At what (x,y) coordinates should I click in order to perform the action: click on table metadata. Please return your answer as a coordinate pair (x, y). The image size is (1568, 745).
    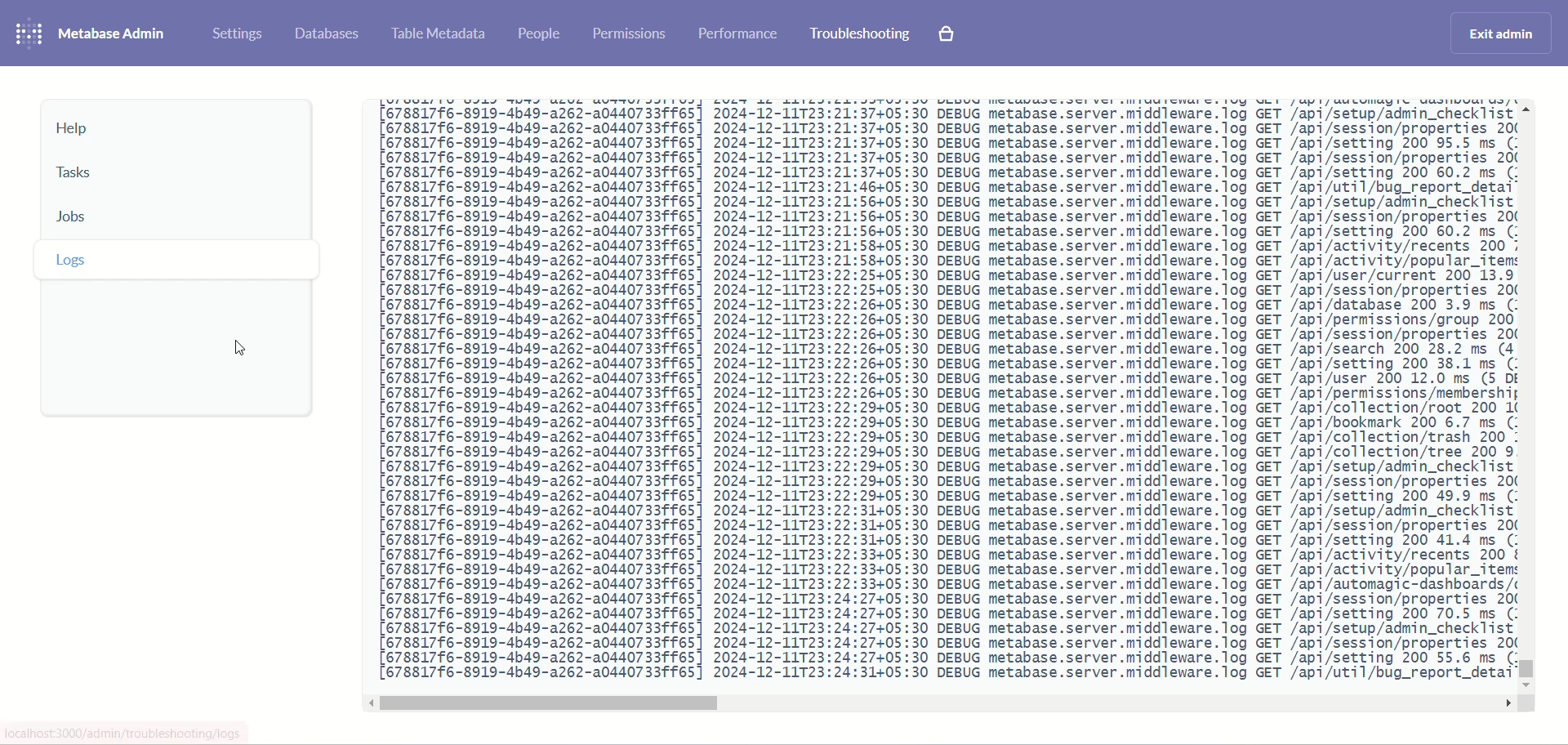
    Looking at the image, I should click on (438, 36).